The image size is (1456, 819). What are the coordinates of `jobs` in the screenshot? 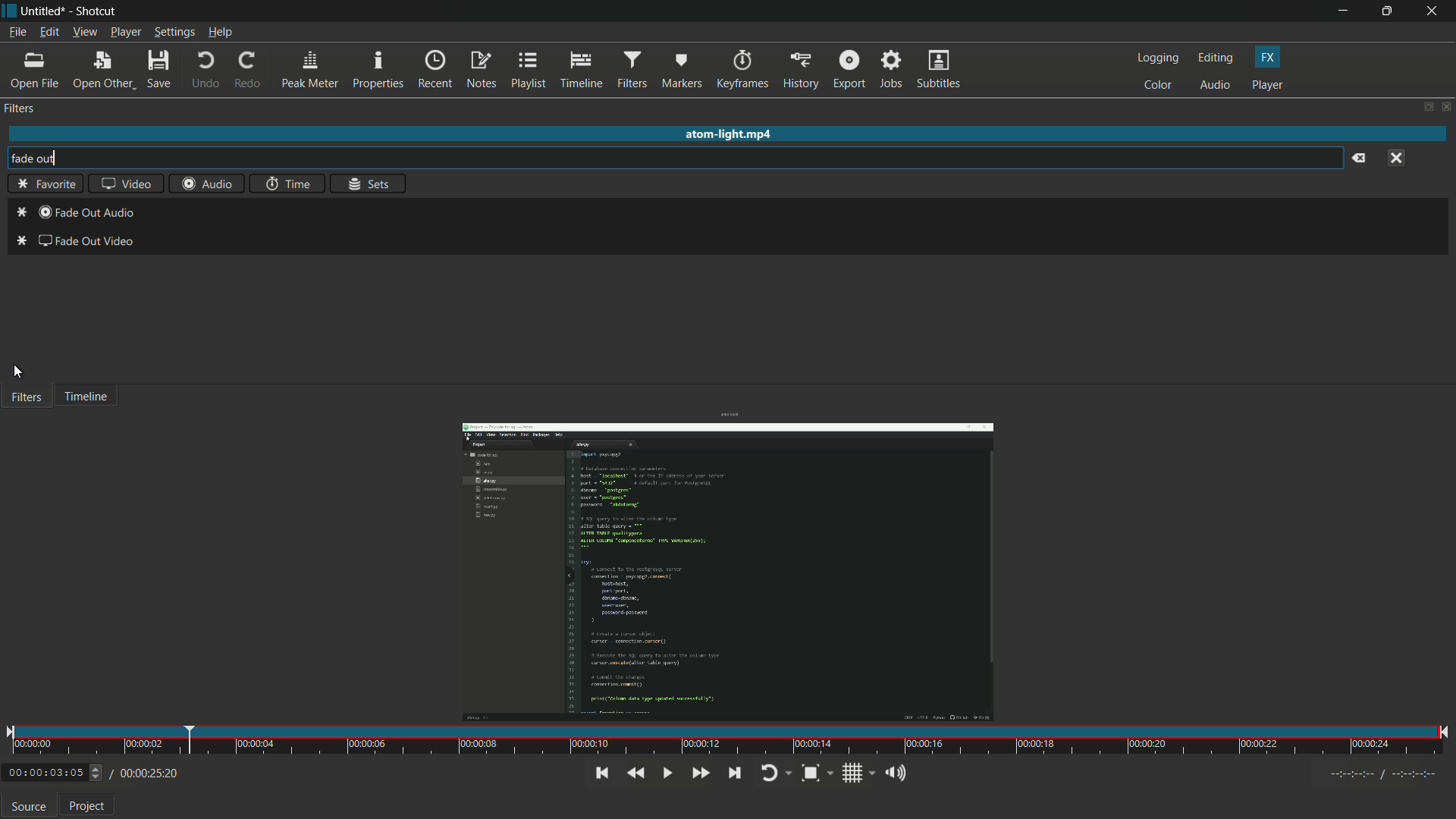 It's located at (889, 70).